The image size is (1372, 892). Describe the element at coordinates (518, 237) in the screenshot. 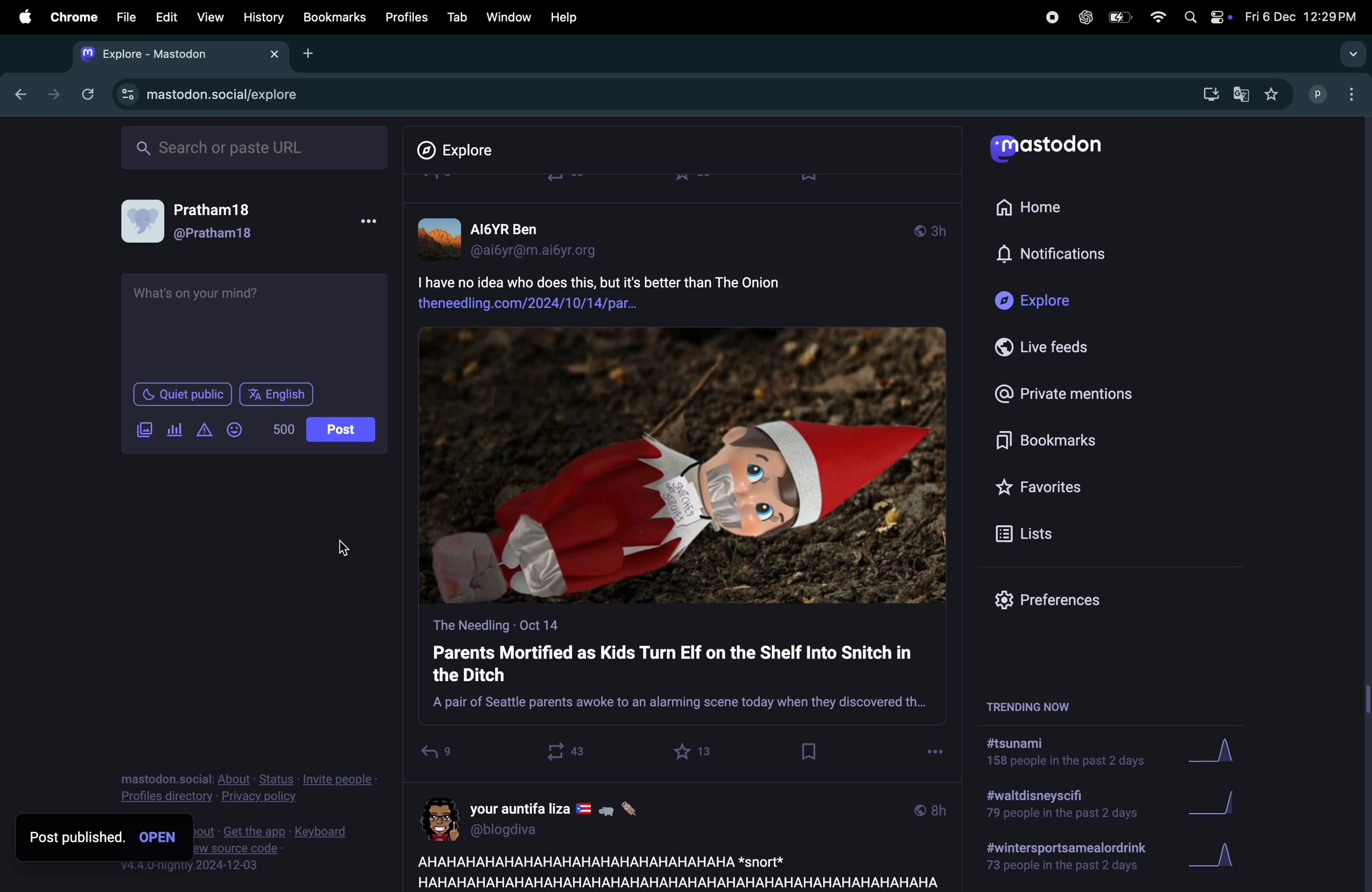

I see `user profile` at that location.